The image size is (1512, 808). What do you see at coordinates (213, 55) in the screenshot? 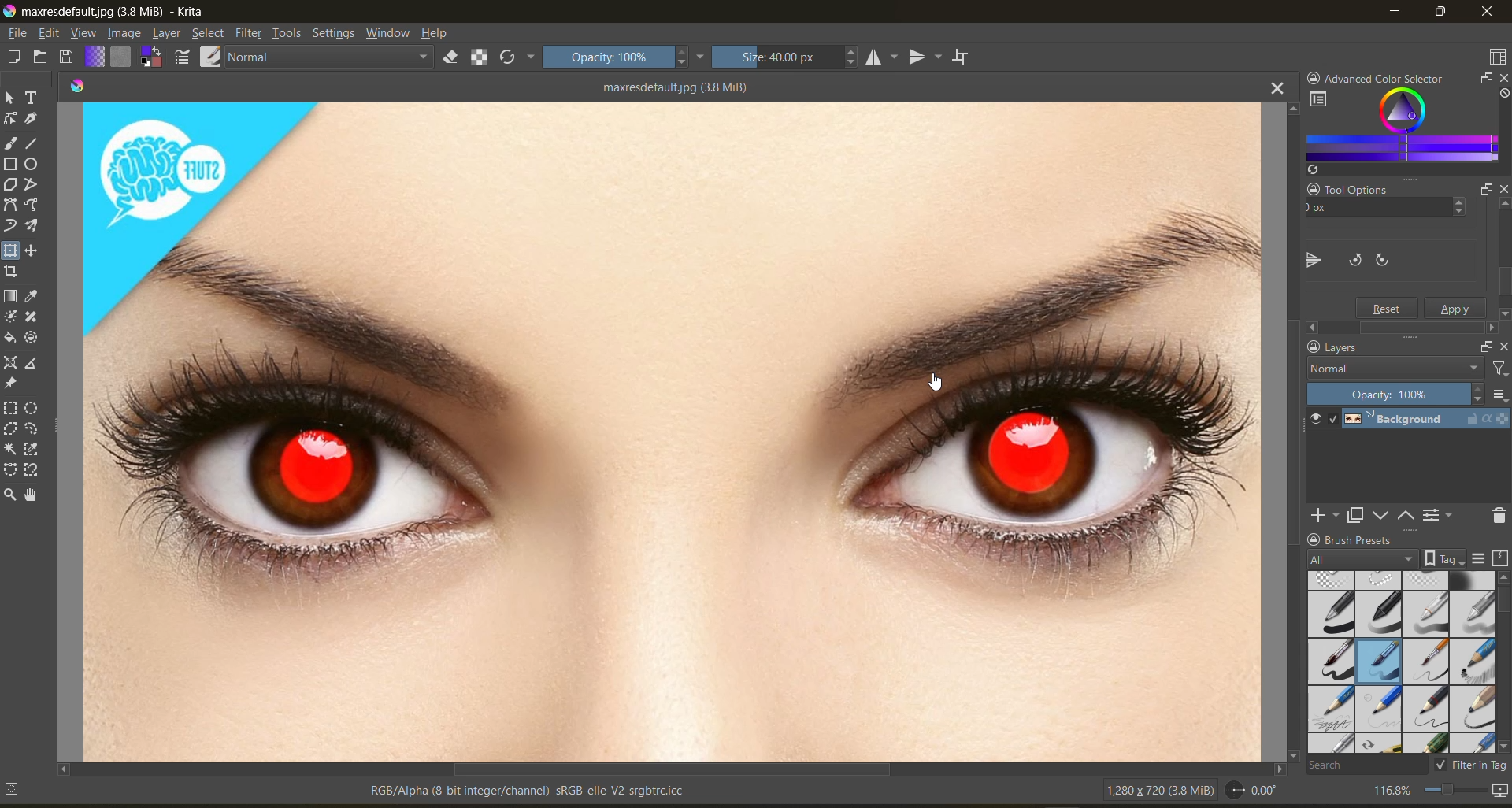
I see `choose brush preset` at bounding box center [213, 55].